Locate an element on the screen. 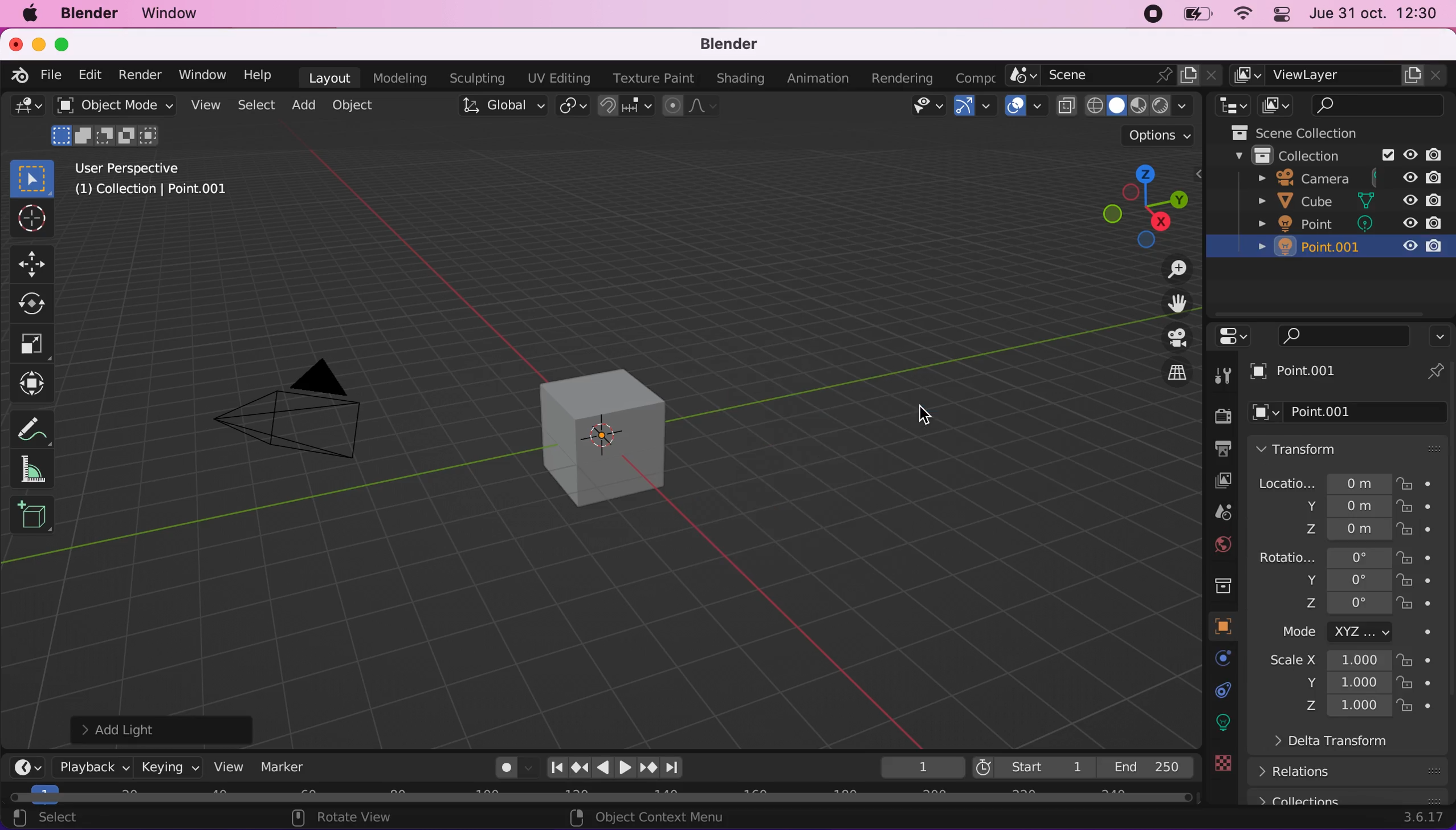  select (toggle) is located at coordinates (105, 817).